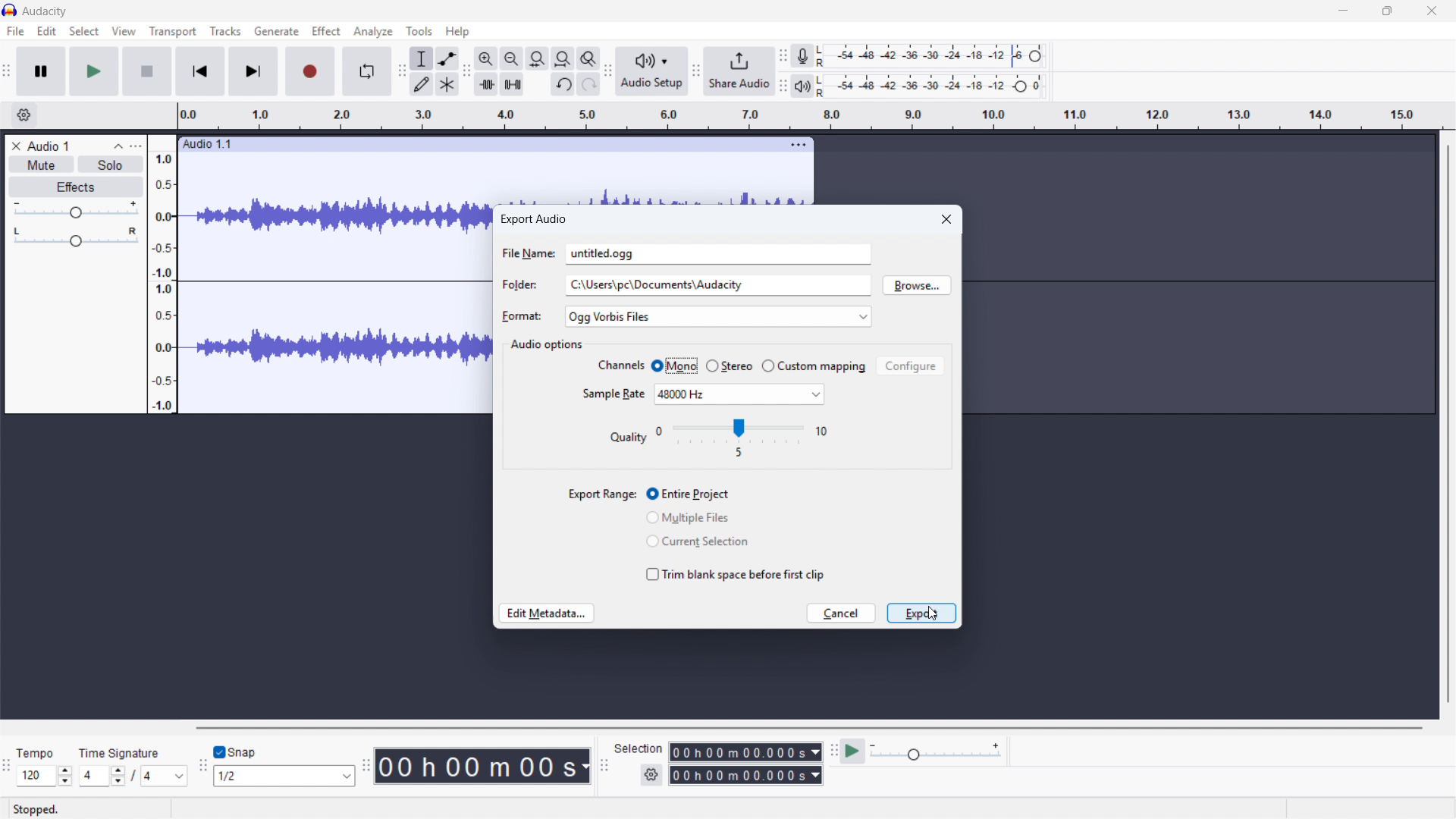  What do you see at coordinates (783, 86) in the screenshot?
I see `playback metre toolbar ` at bounding box center [783, 86].